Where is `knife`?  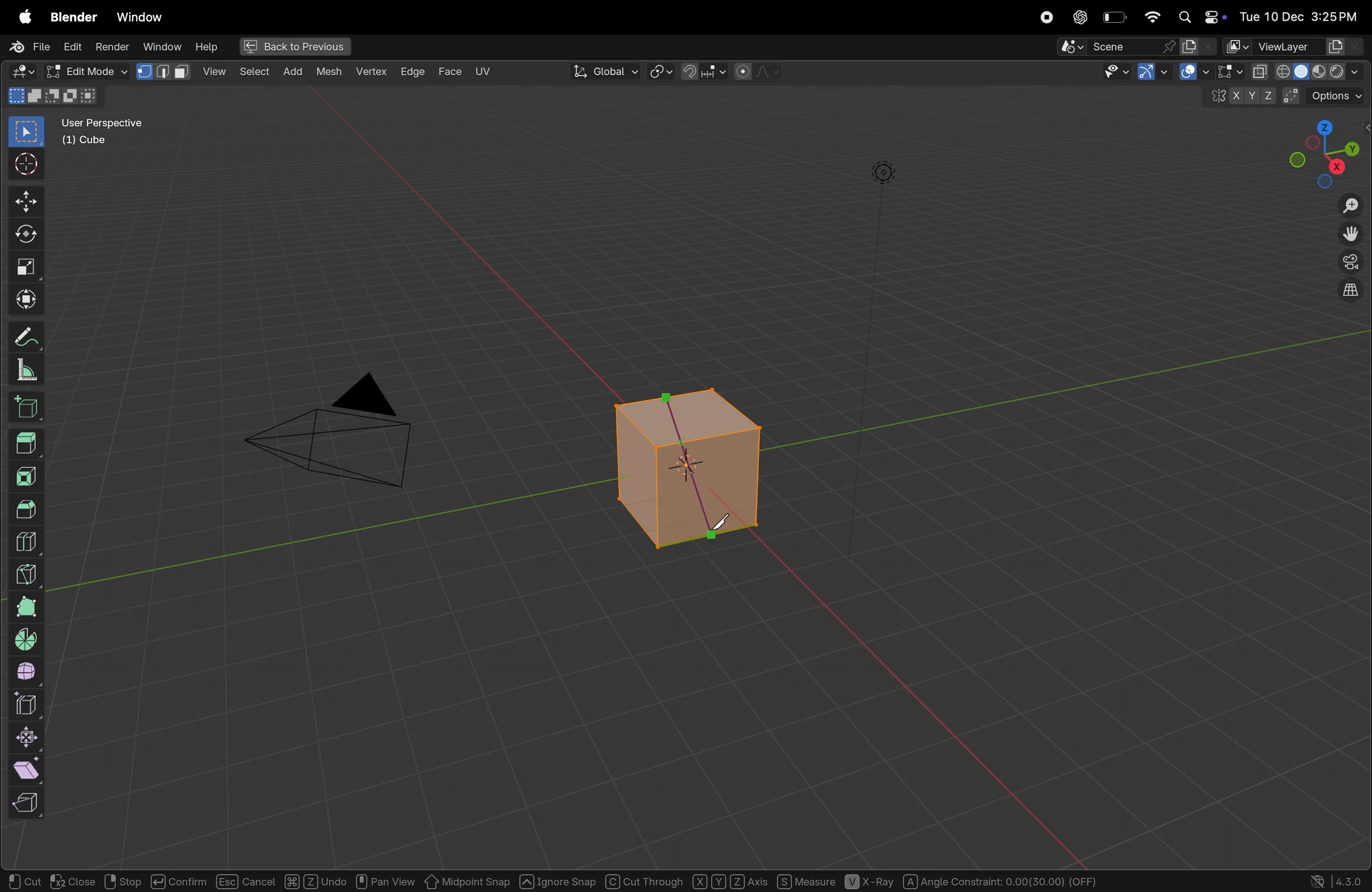
knife is located at coordinates (27, 572).